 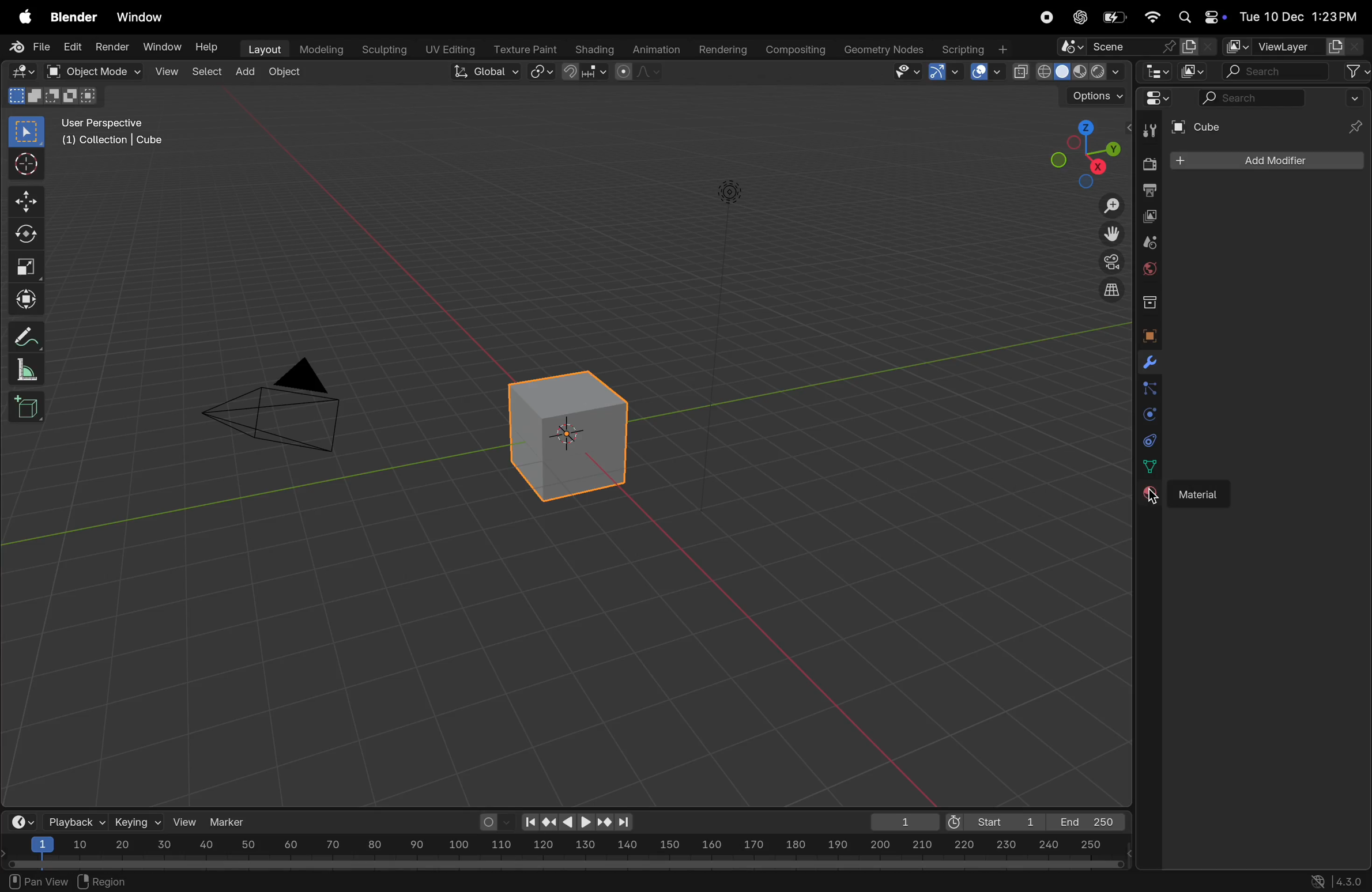 I want to click on auto keying, so click(x=493, y=822).